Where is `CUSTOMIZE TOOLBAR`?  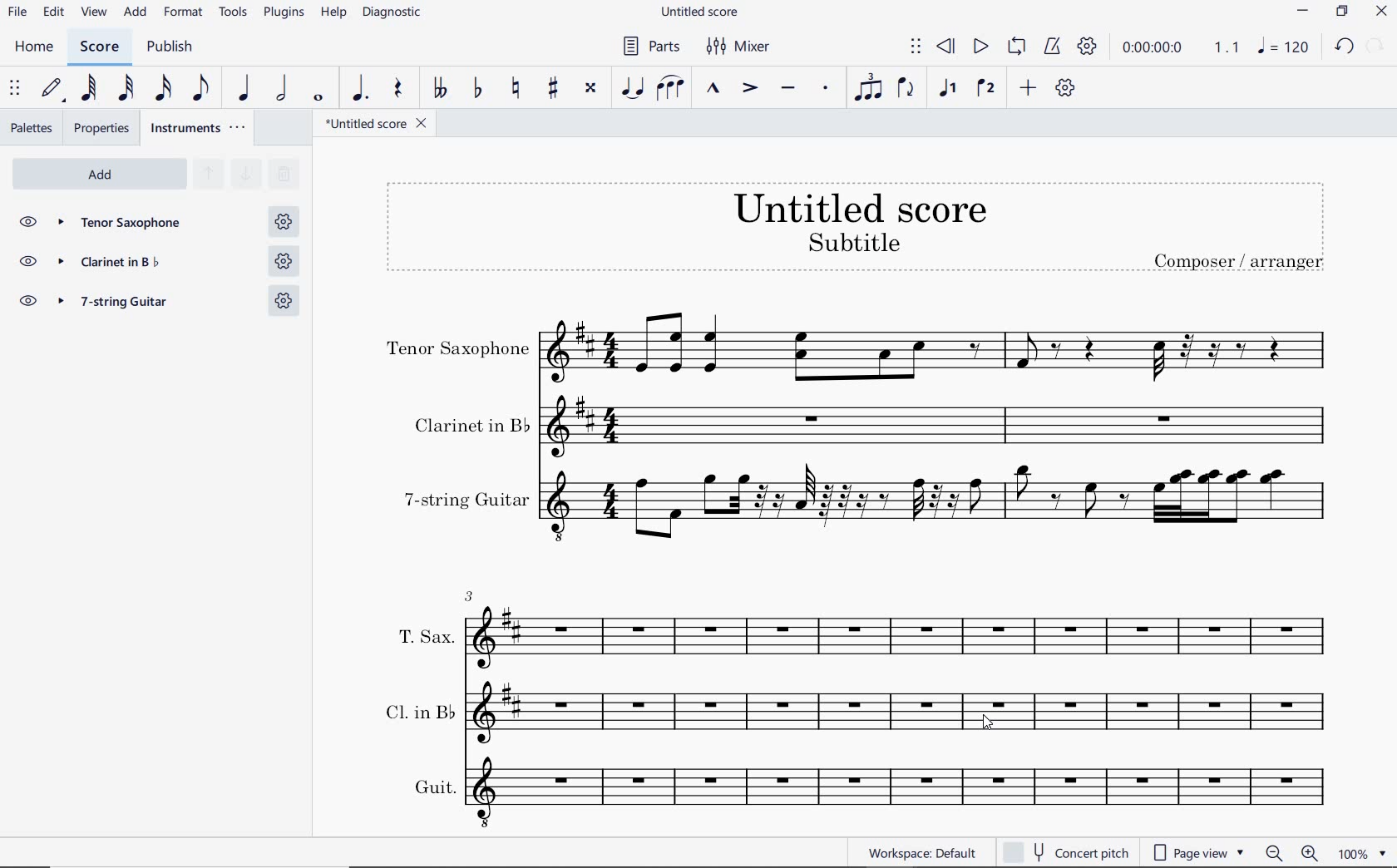
CUSTOMIZE TOOLBAR is located at coordinates (1064, 88).